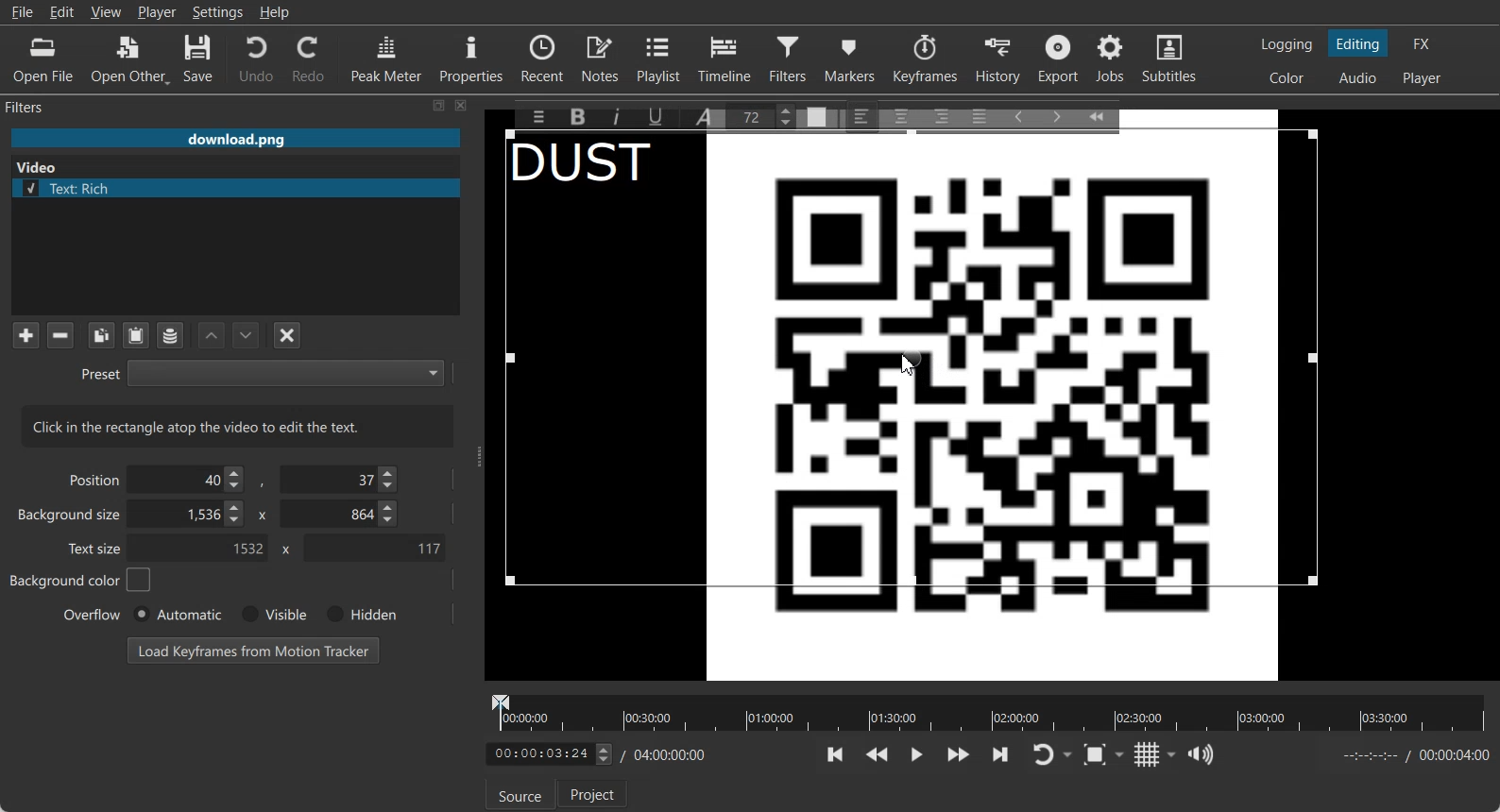 This screenshot has width=1500, height=812. I want to click on Skip to the previous point, so click(836, 753).